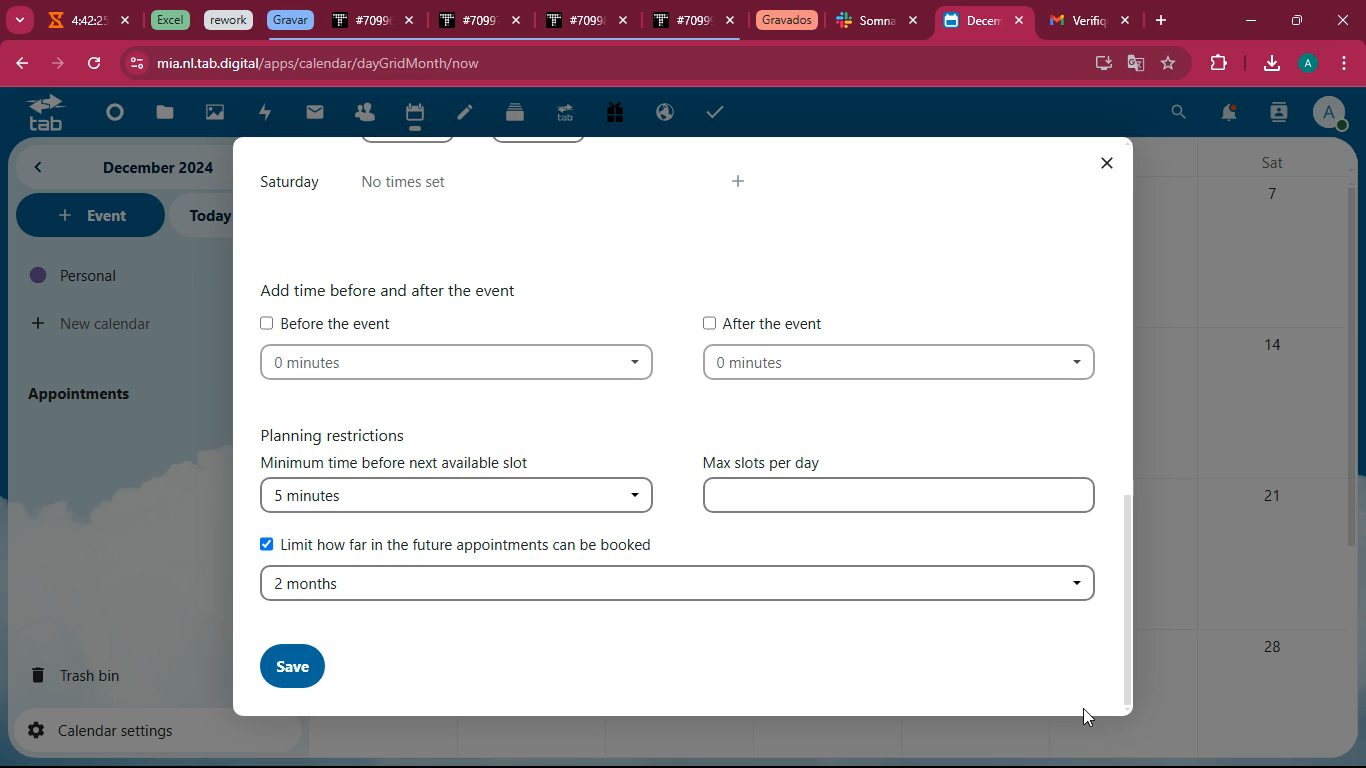 The width and height of the screenshot is (1366, 768). What do you see at coordinates (1215, 64) in the screenshot?
I see `extensions` at bounding box center [1215, 64].